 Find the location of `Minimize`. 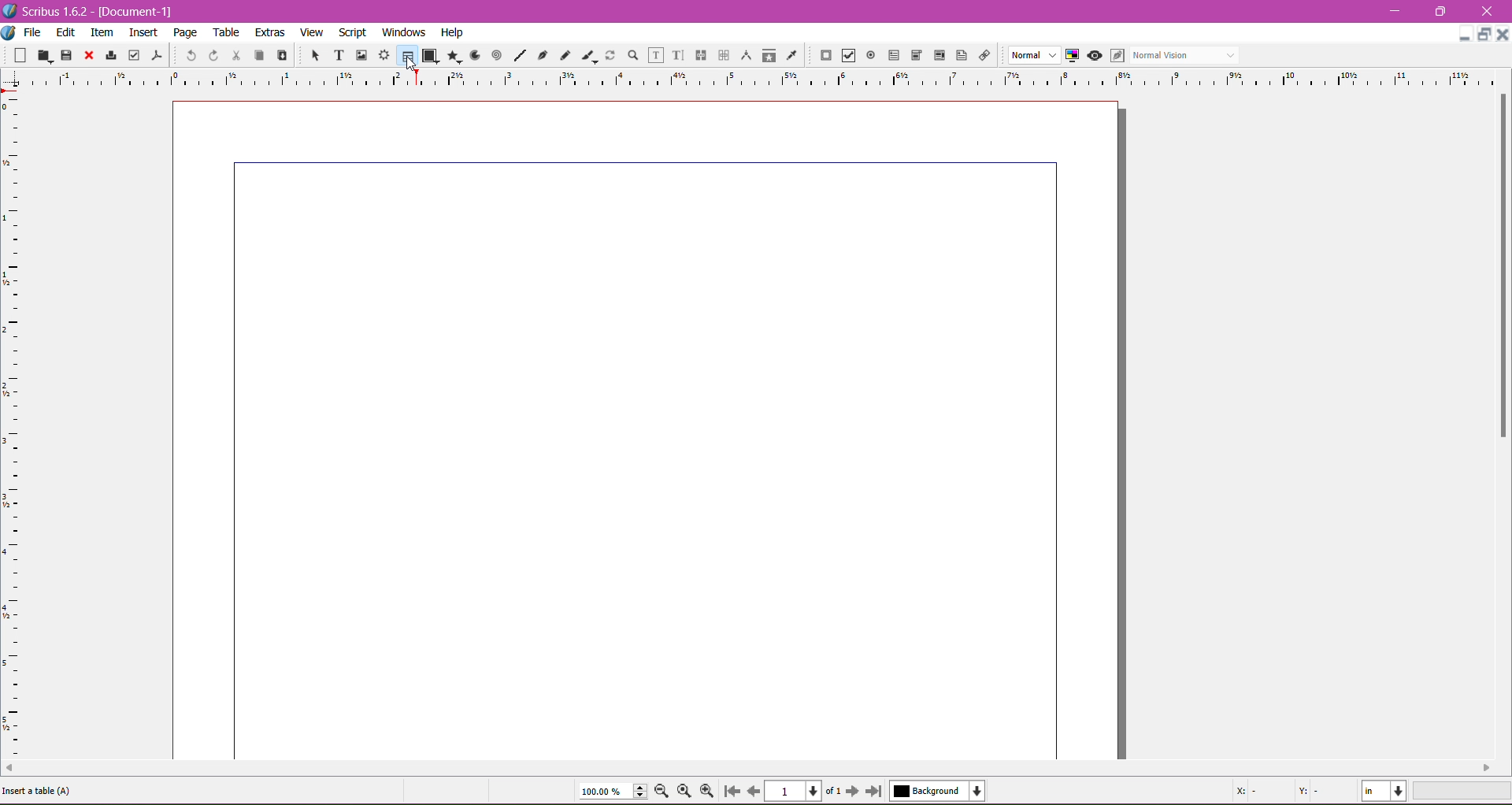

Minimize is located at coordinates (1465, 32).